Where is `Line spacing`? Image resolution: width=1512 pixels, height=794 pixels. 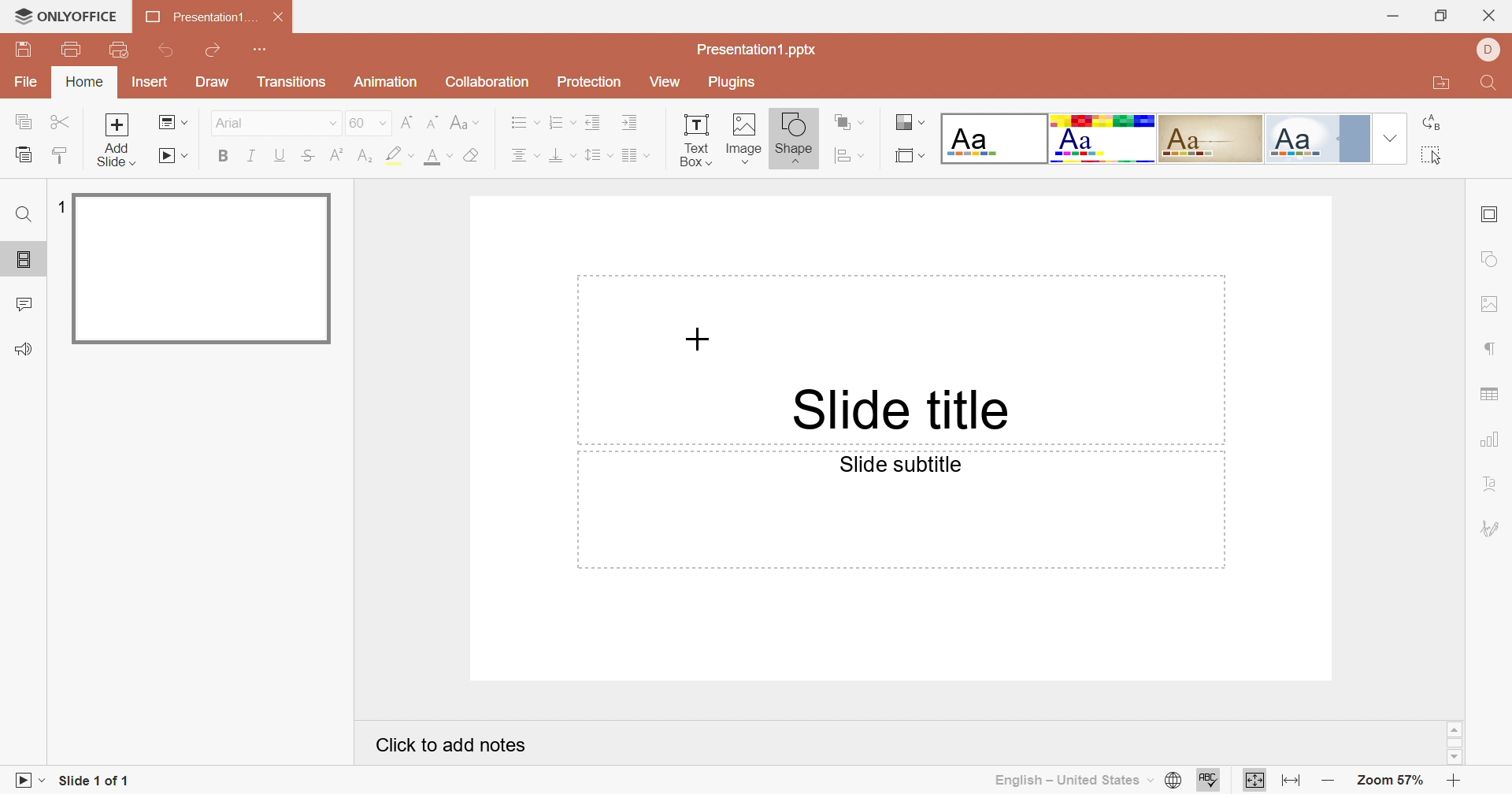 Line spacing is located at coordinates (599, 155).